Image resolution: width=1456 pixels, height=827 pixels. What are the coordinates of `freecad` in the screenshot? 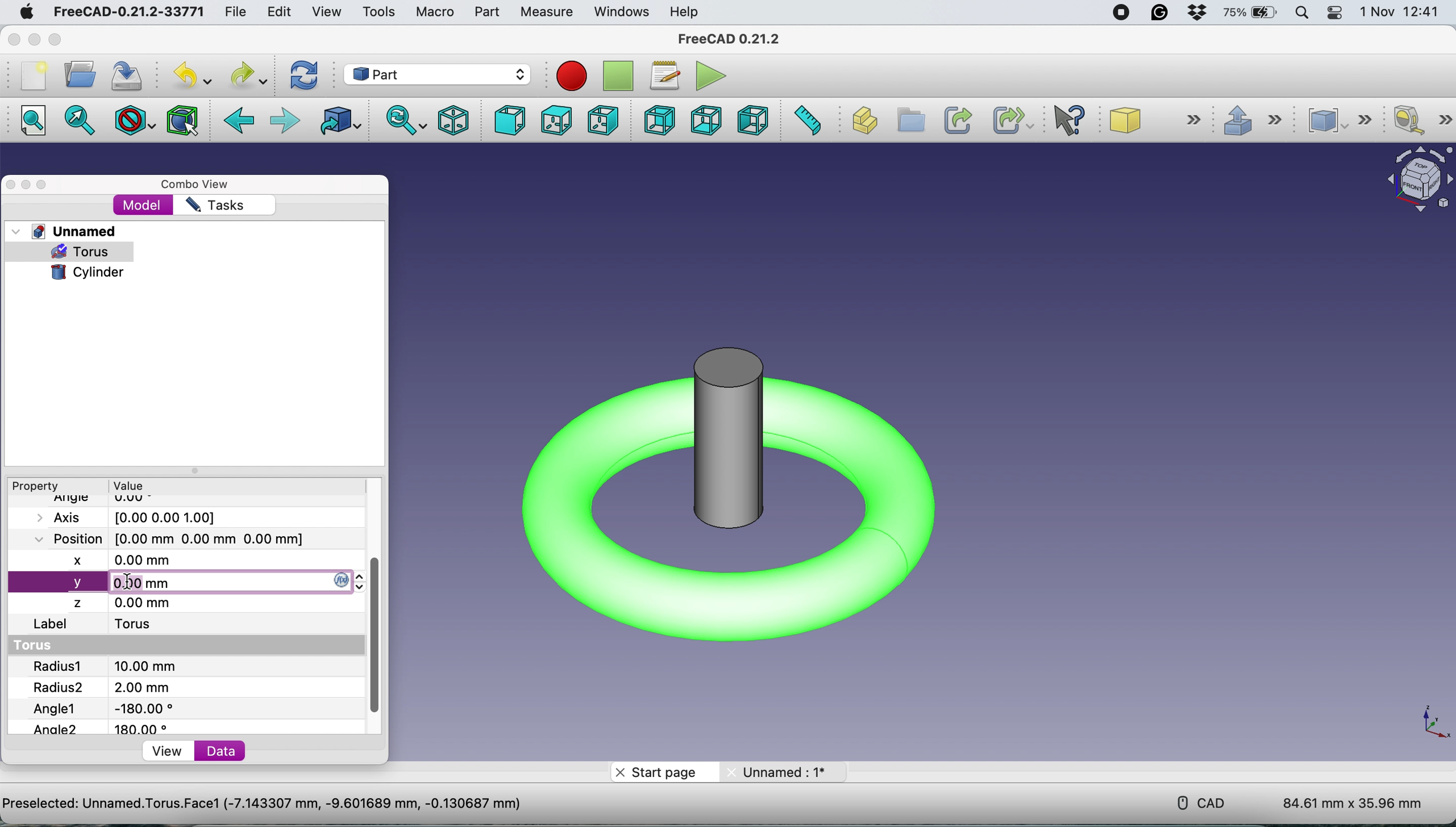 It's located at (729, 39).